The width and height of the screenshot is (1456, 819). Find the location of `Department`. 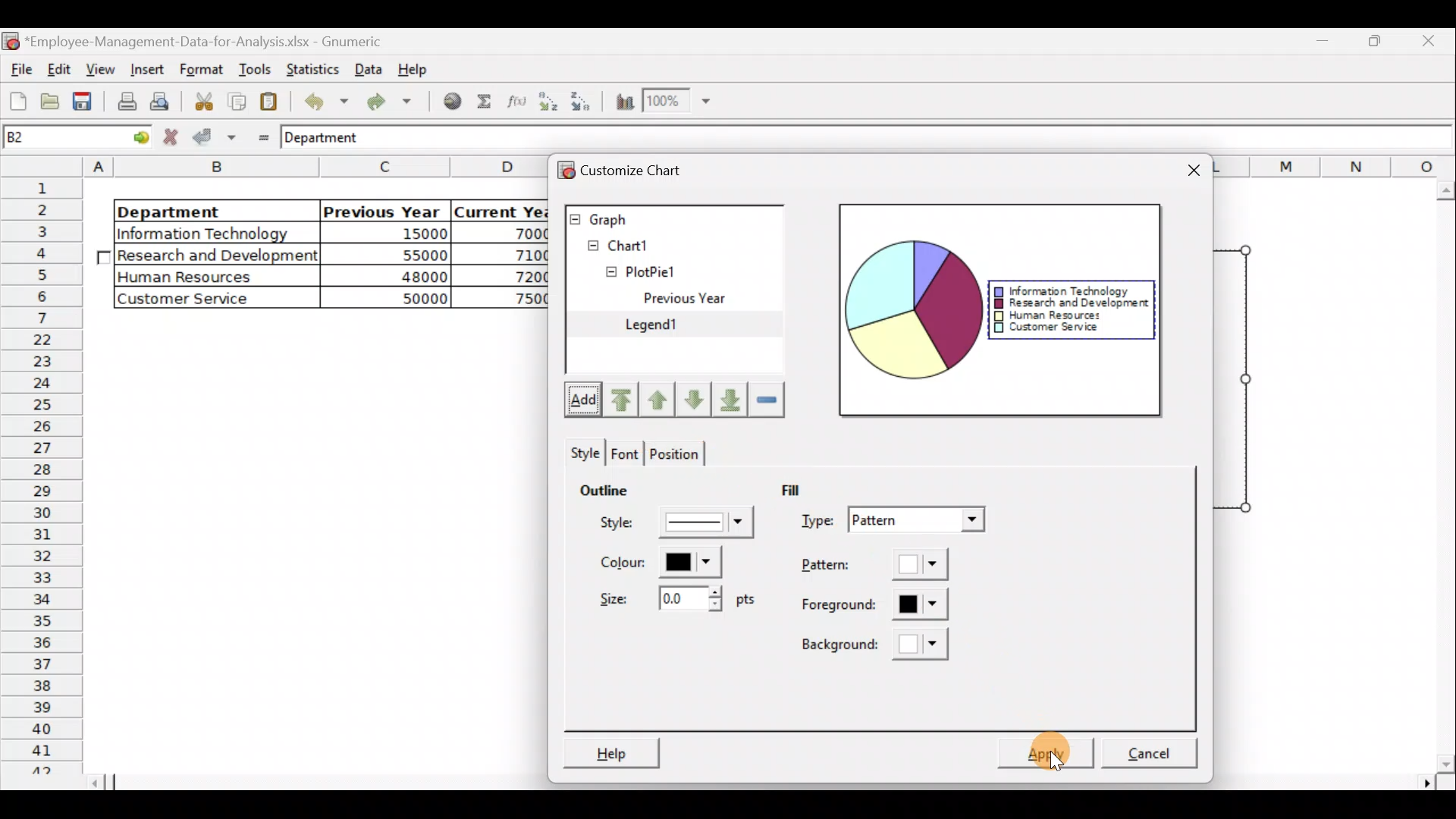

Department is located at coordinates (206, 211).